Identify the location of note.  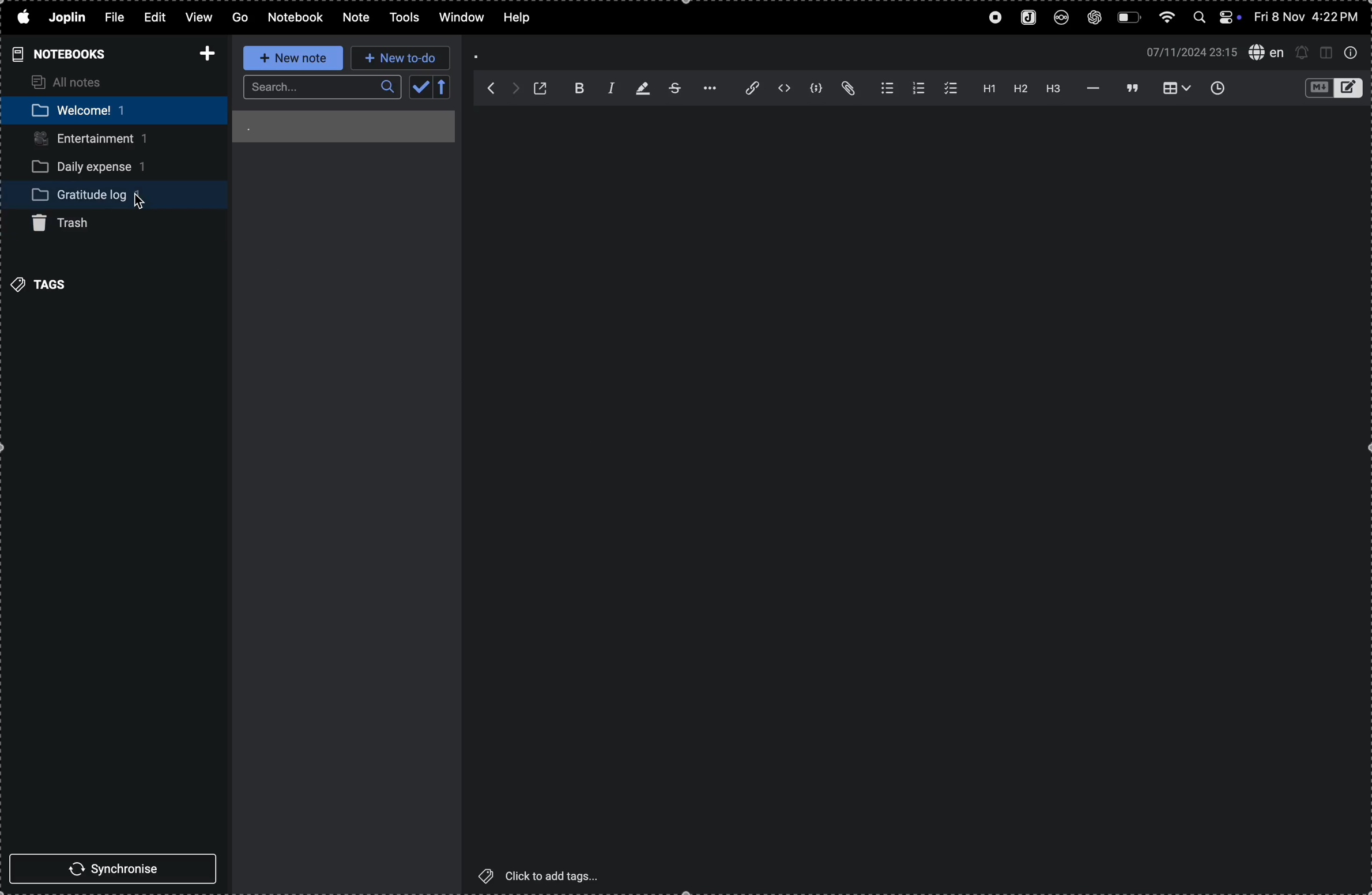
(357, 20).